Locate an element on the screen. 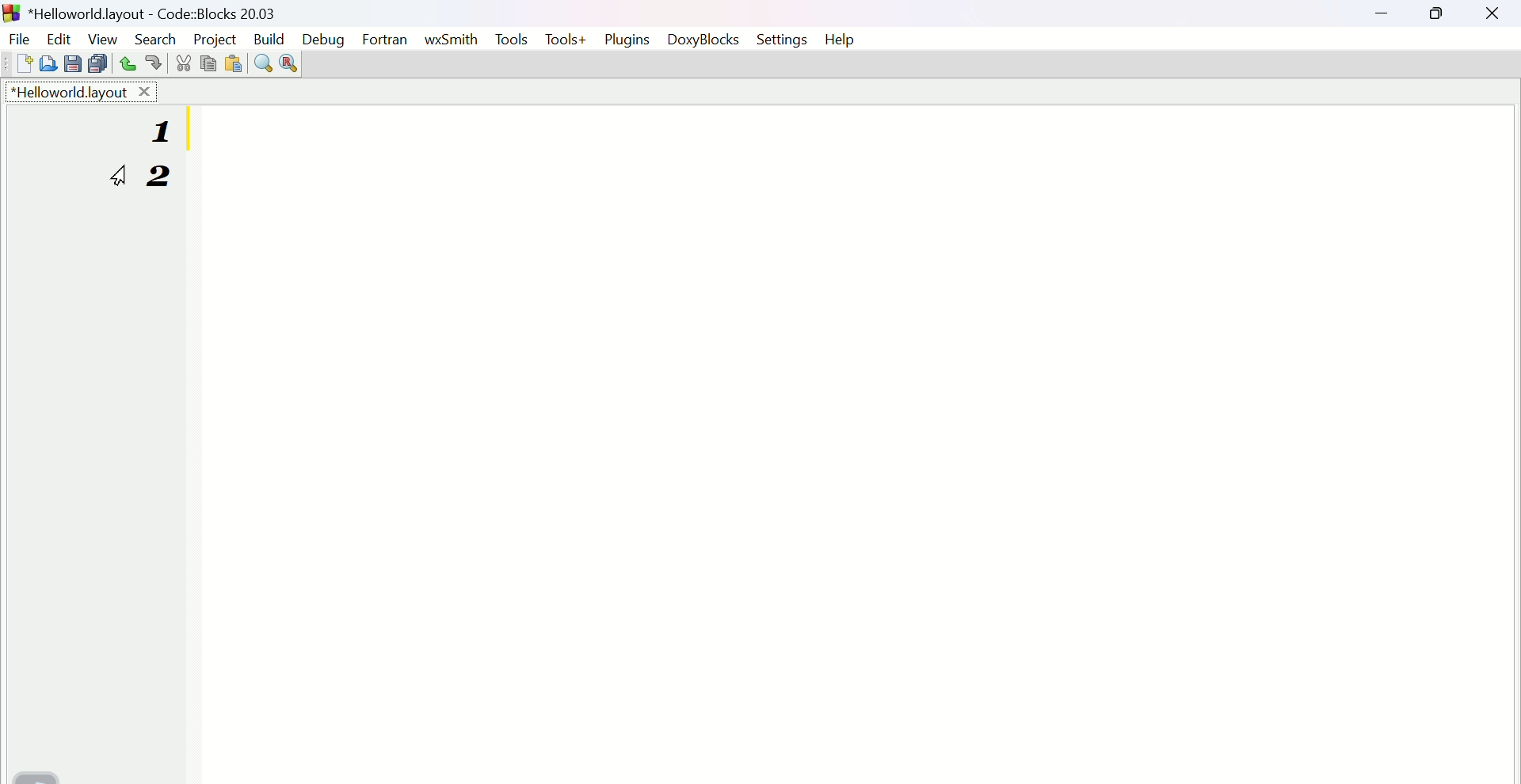 The width and height of the screenshot is (1521, 784). Find is located at coordinates (261, 63).